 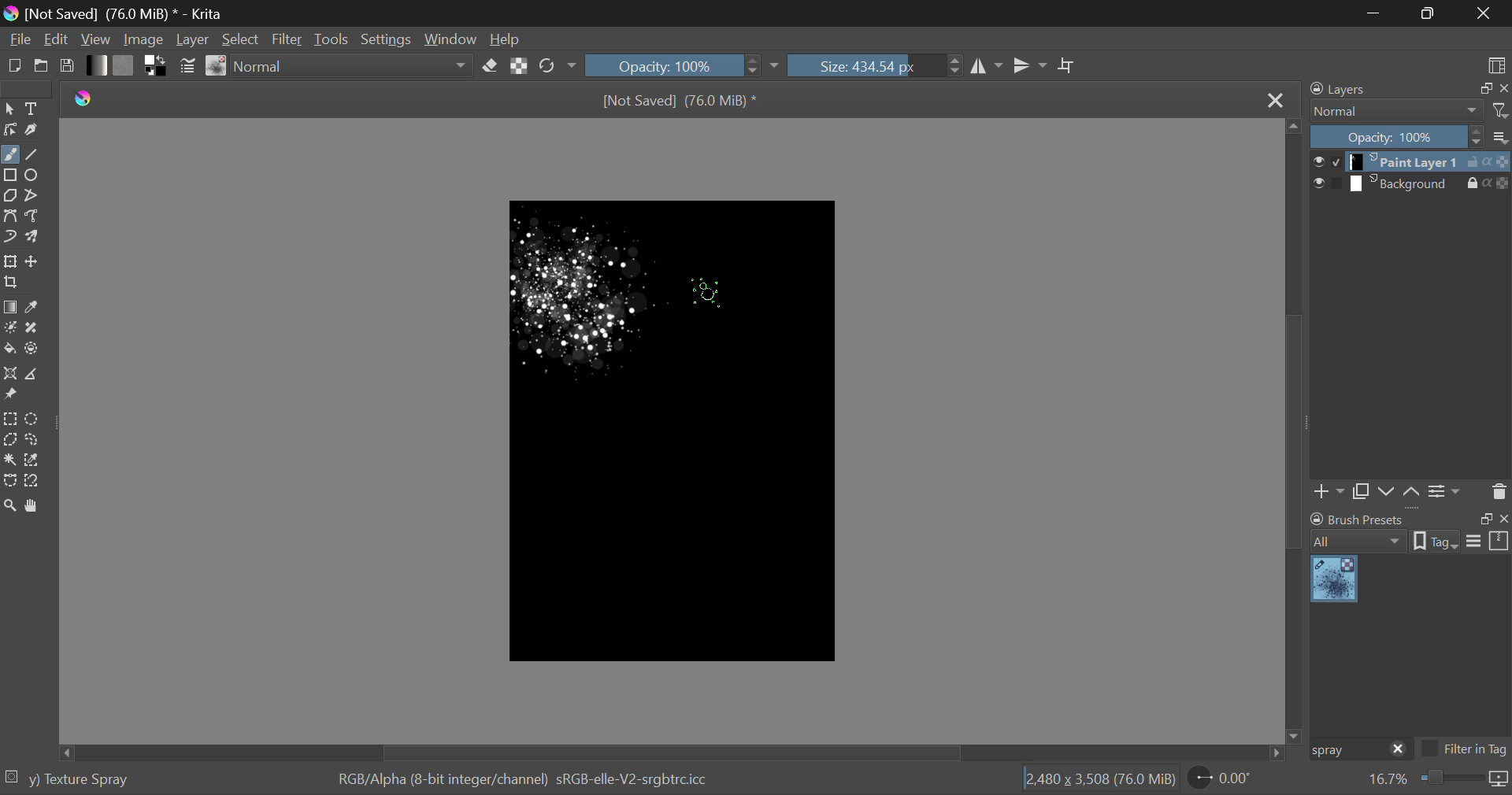 What do you see at coordinates (32, 235) in the screenshot?
I see `Multibrush` at bounding box center [32, 235].